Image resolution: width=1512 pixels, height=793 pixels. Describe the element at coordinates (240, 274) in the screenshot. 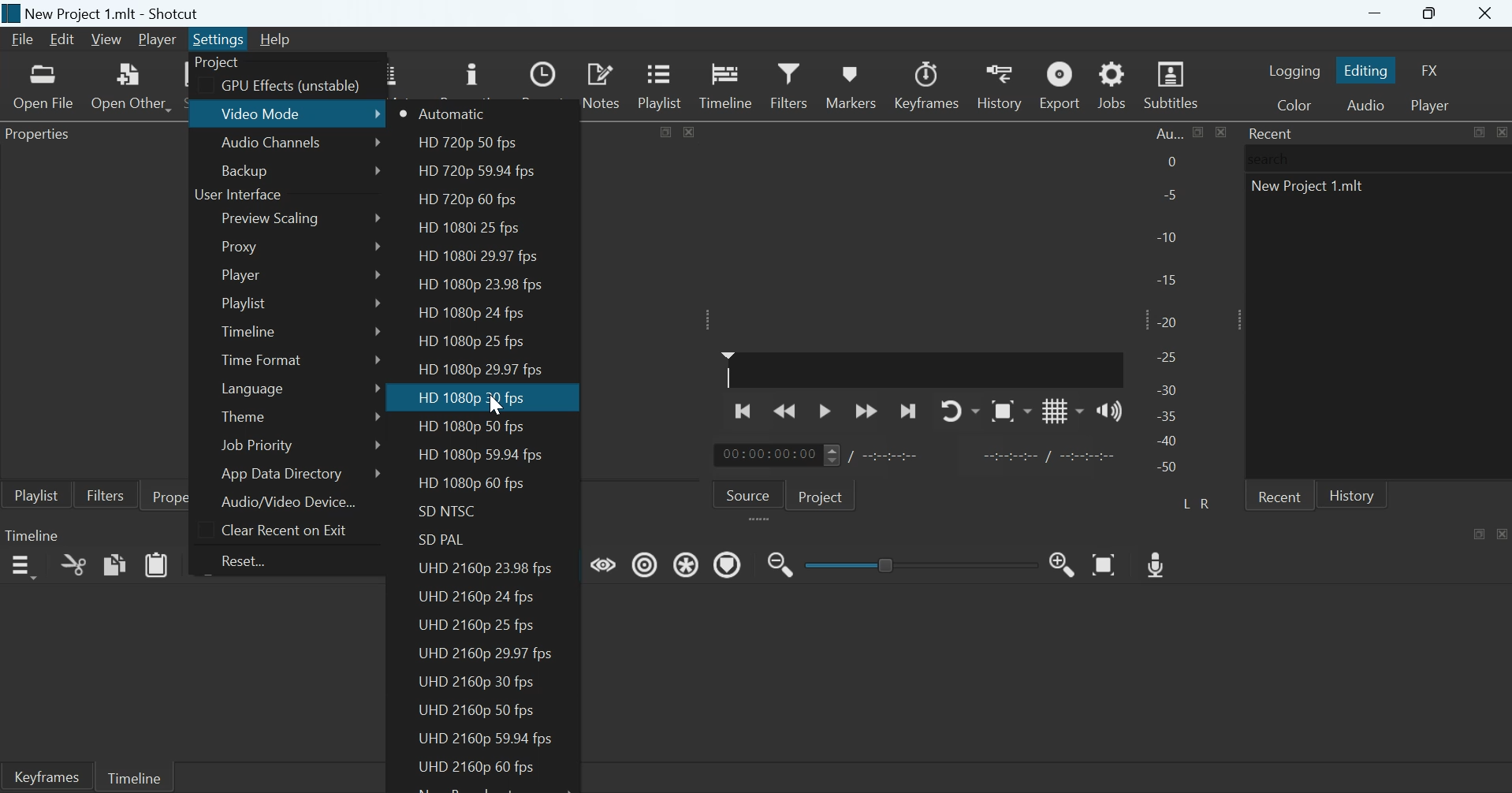

I see `Player` at that location.